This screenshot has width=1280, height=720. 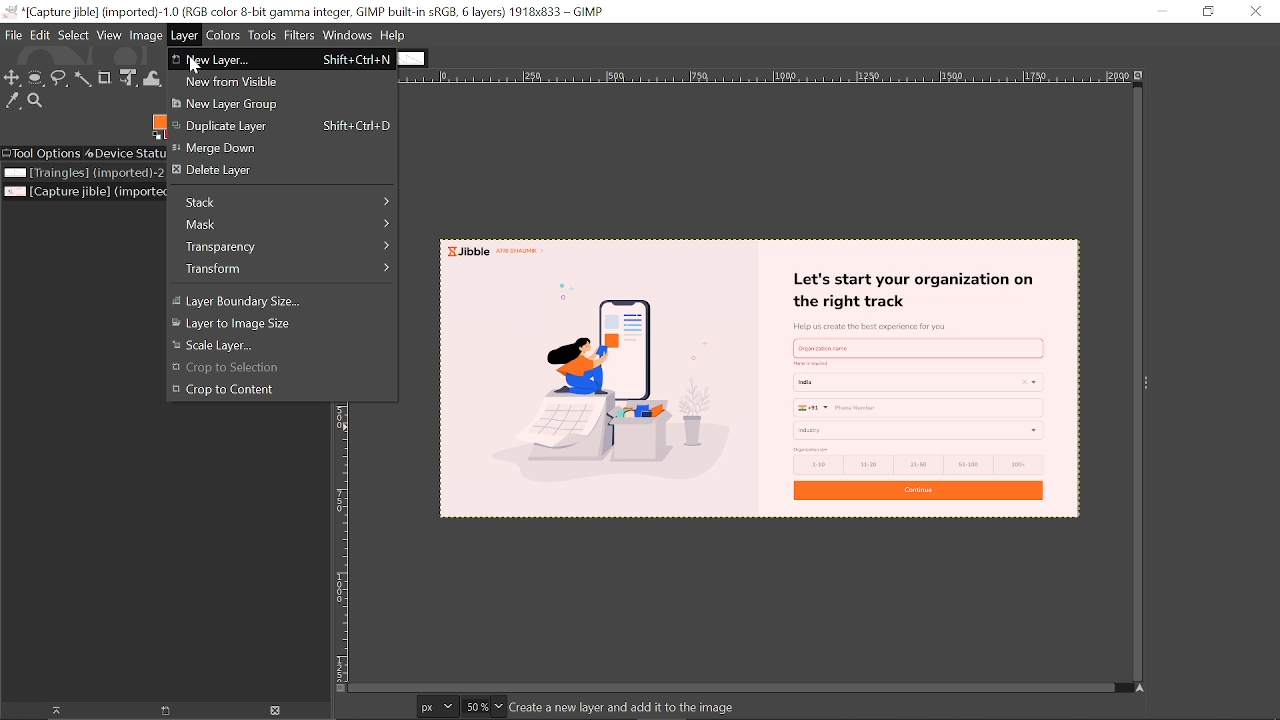 What do you see at coordinates (281, 104) in the screenshot?
I see `New layer group` at bounding box center [281, 104].